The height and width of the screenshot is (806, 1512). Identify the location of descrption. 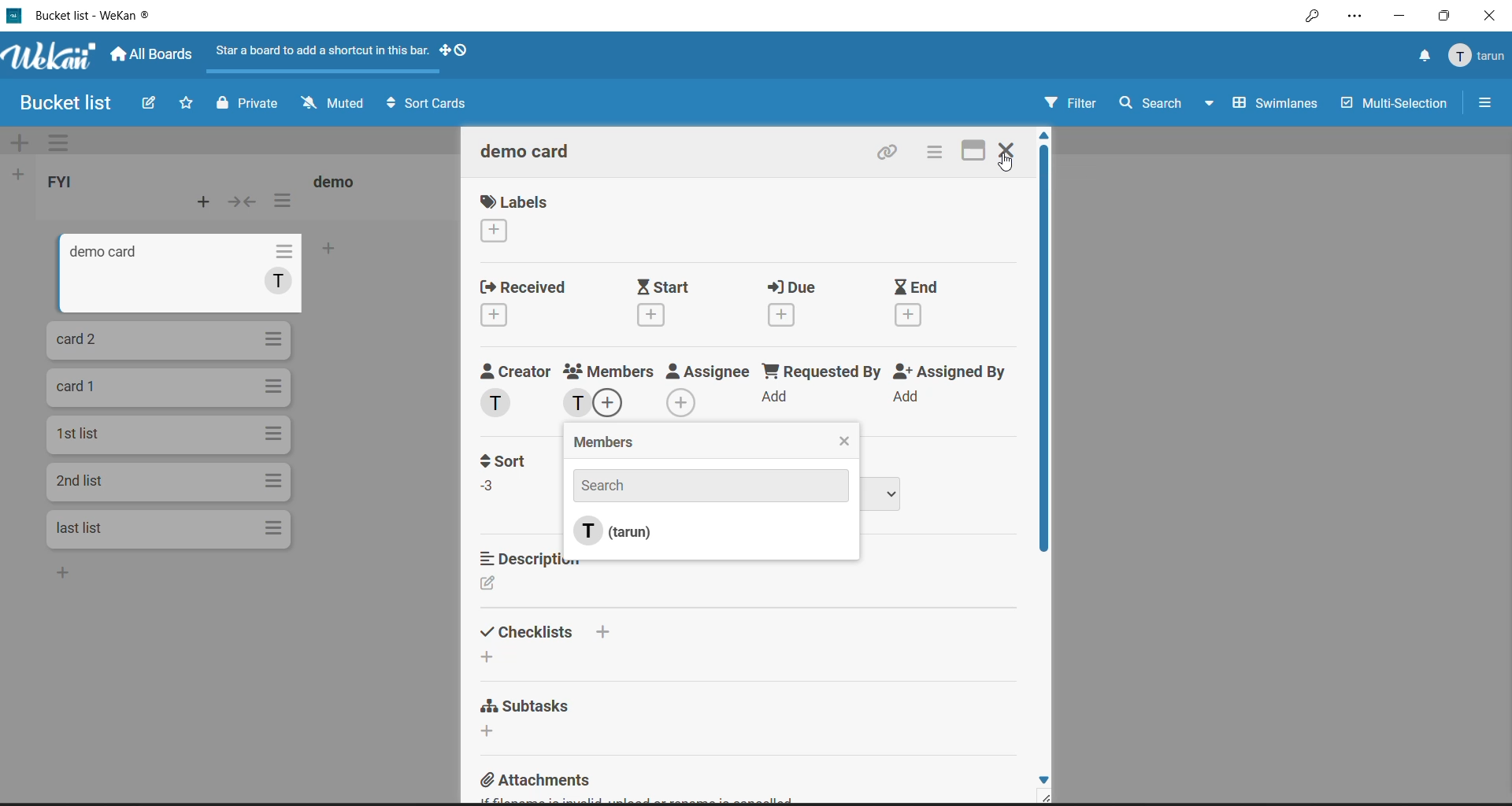
(542, 560).